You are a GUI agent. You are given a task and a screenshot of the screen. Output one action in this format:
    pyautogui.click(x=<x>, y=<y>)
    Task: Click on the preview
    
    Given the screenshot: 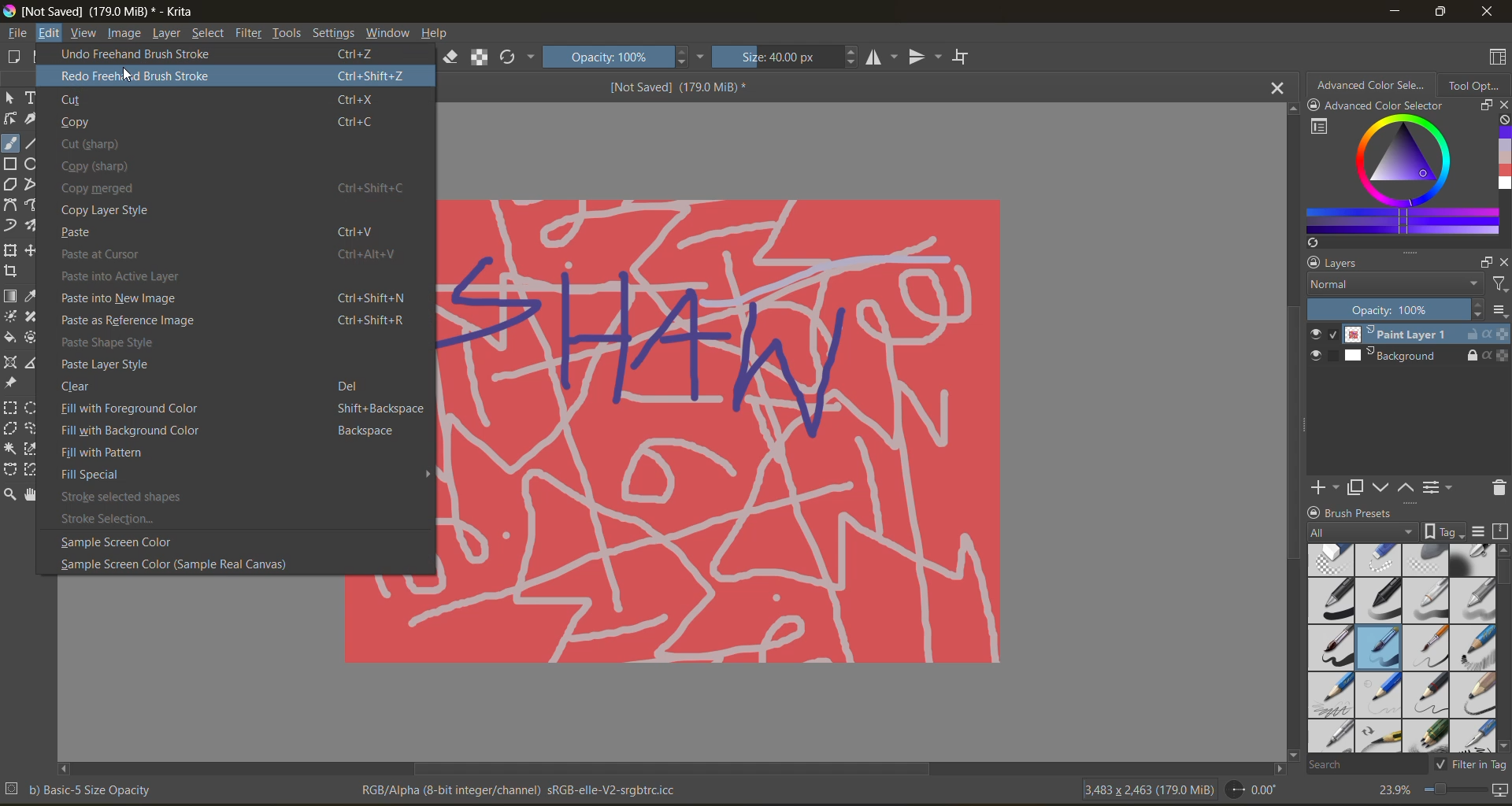 What is the action you would take?
    pyautogui.click(x=1319, y=347)
    